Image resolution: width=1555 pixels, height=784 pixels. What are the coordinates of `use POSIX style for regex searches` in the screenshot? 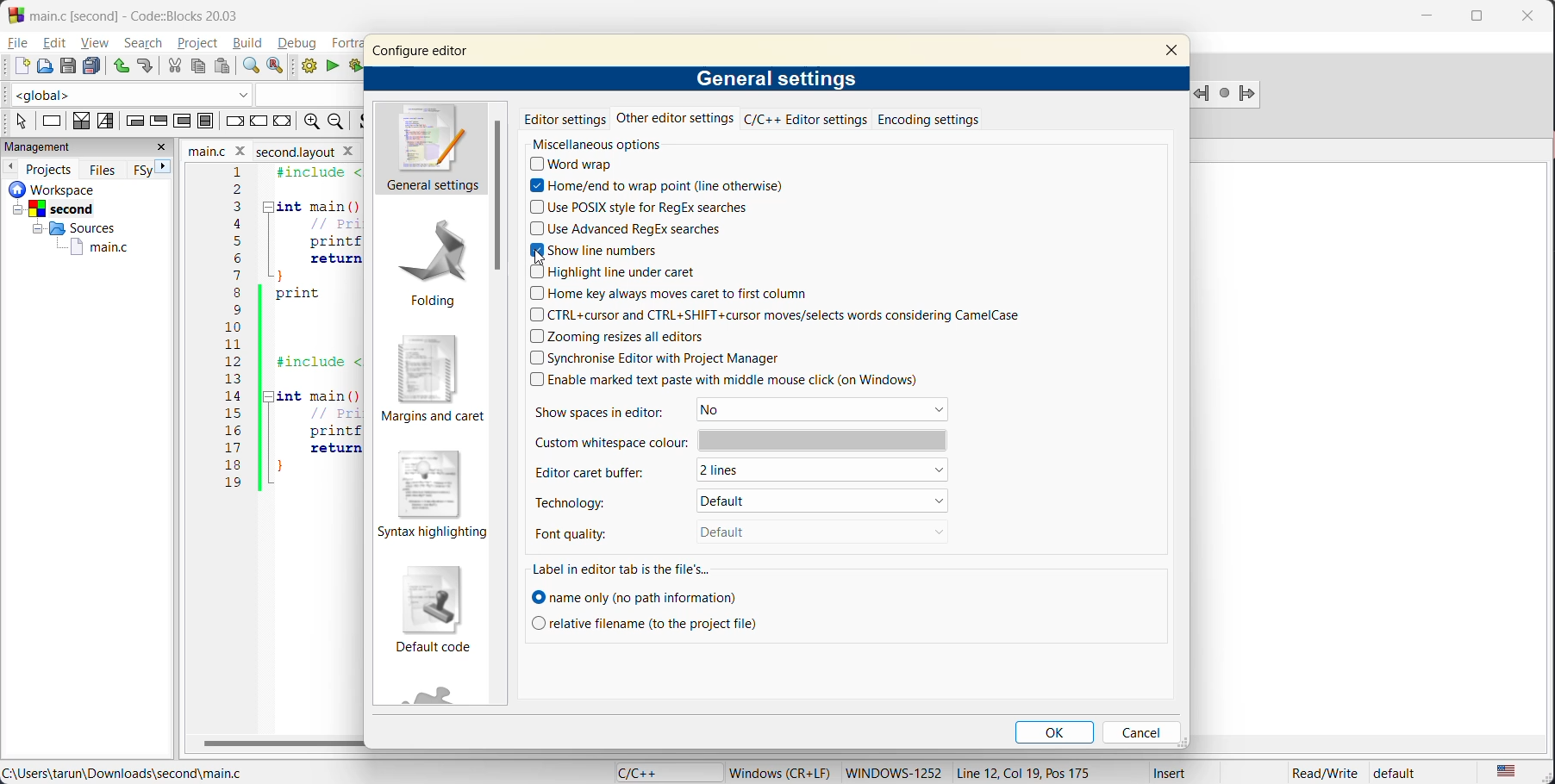 It's located at (643, 209).